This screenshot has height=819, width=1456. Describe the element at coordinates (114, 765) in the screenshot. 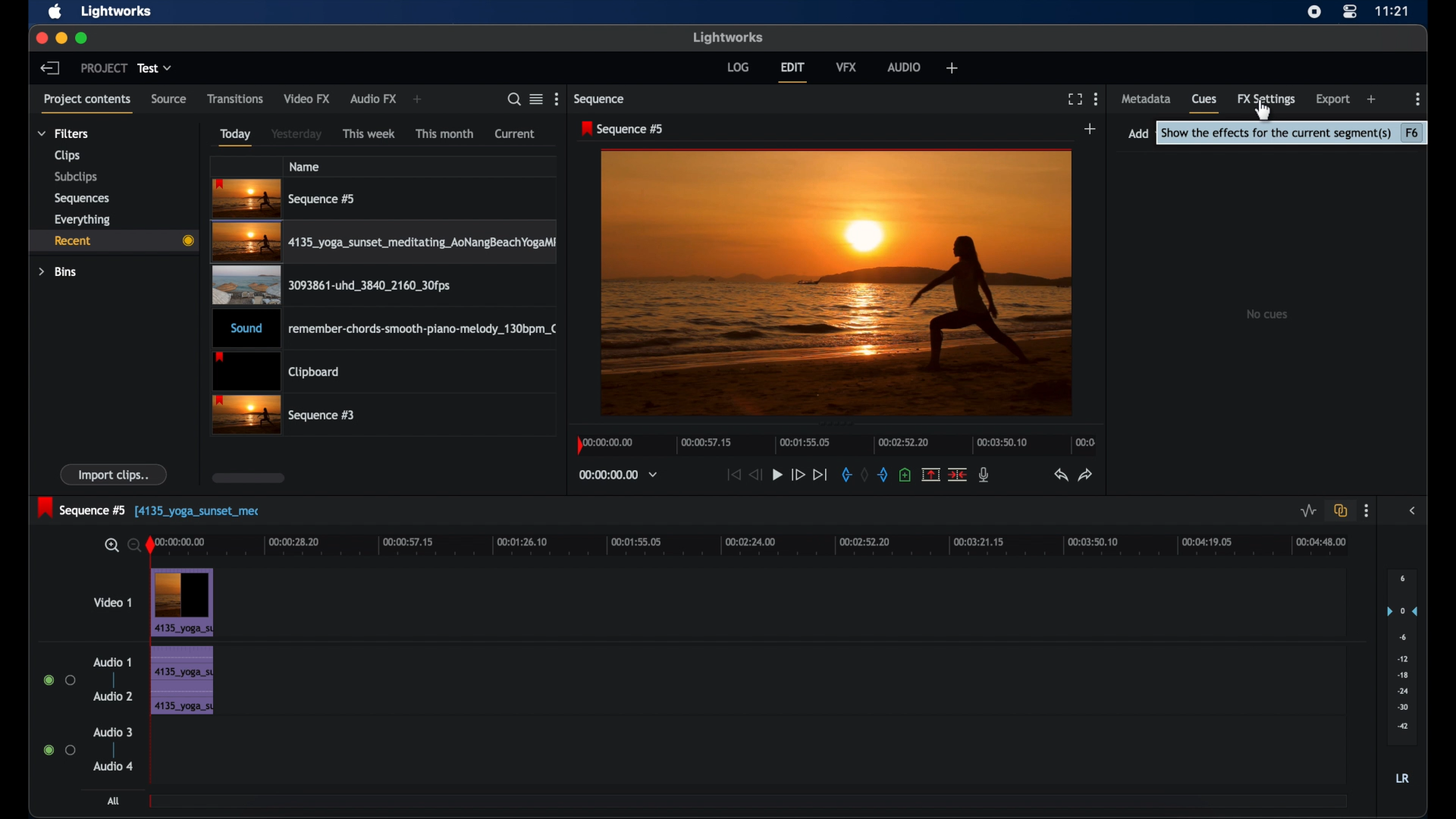

I see `audio 4` at that location.